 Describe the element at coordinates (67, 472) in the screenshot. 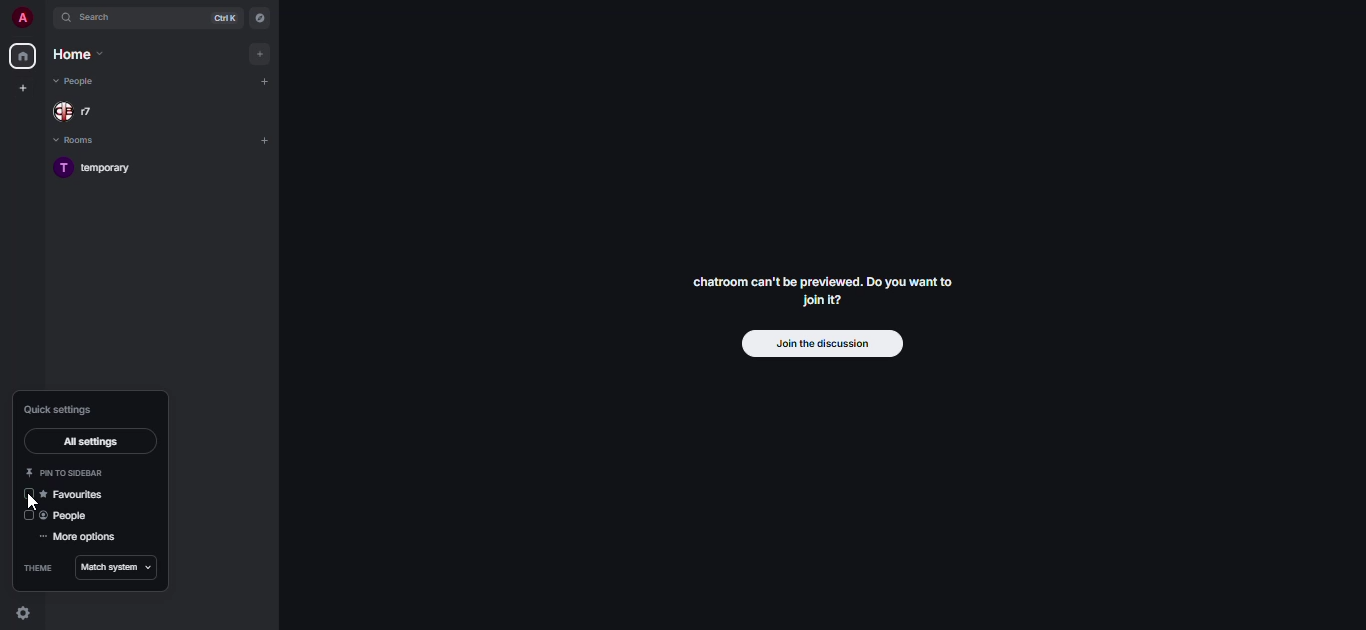

I see `pin to sidebar` at that location.